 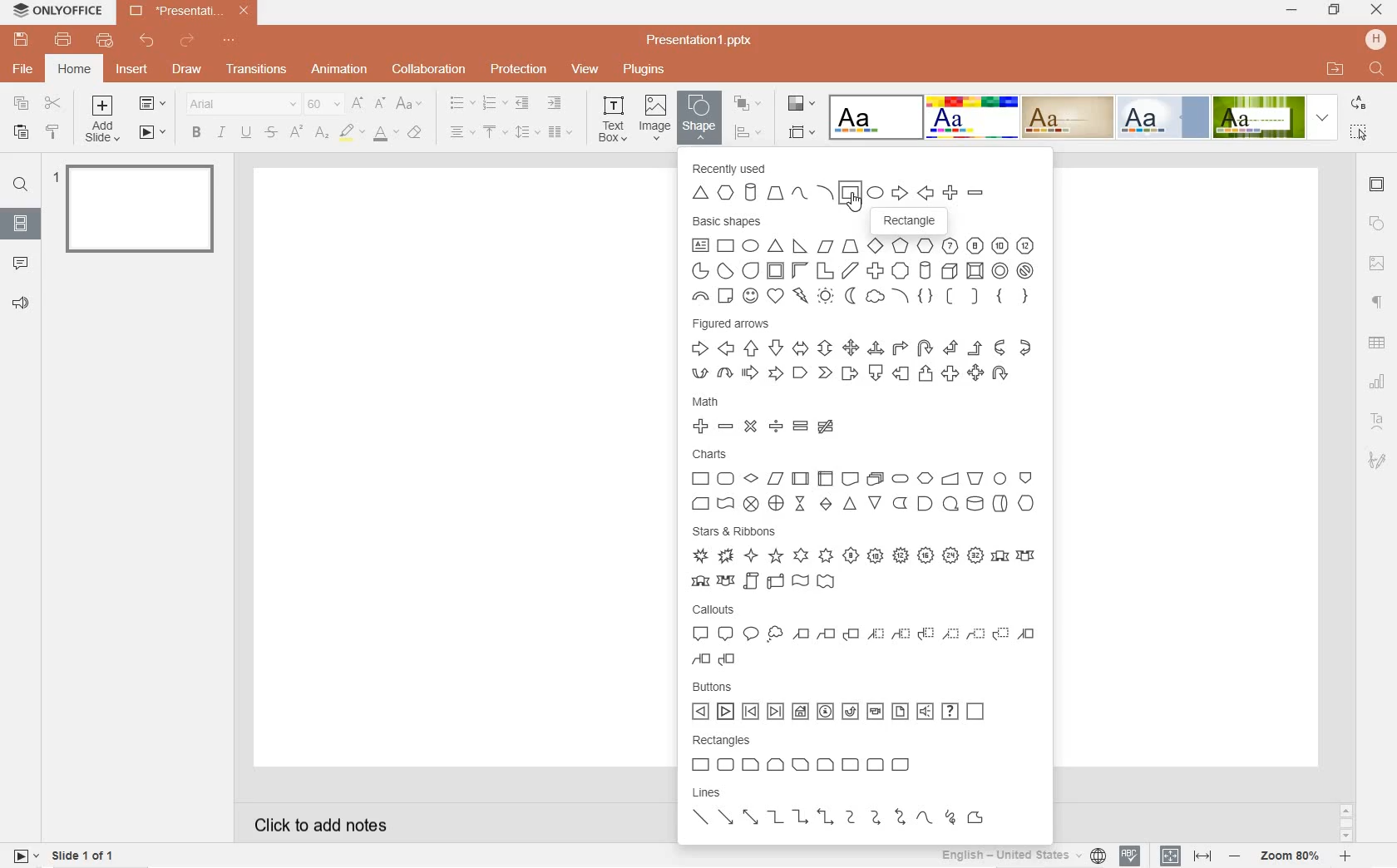 I want to click on lines, so click(x=702, y=793).